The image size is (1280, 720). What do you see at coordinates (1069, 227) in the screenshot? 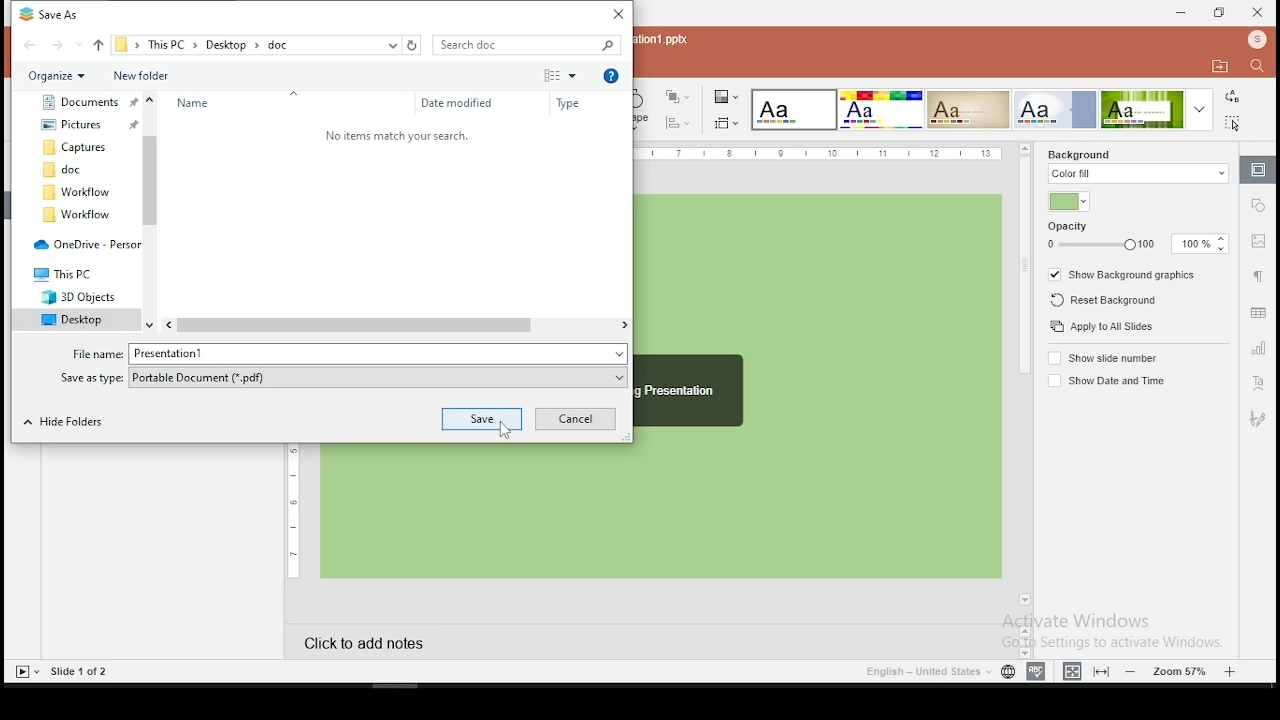
I see `opacity` at bounding box center [1069, 227].